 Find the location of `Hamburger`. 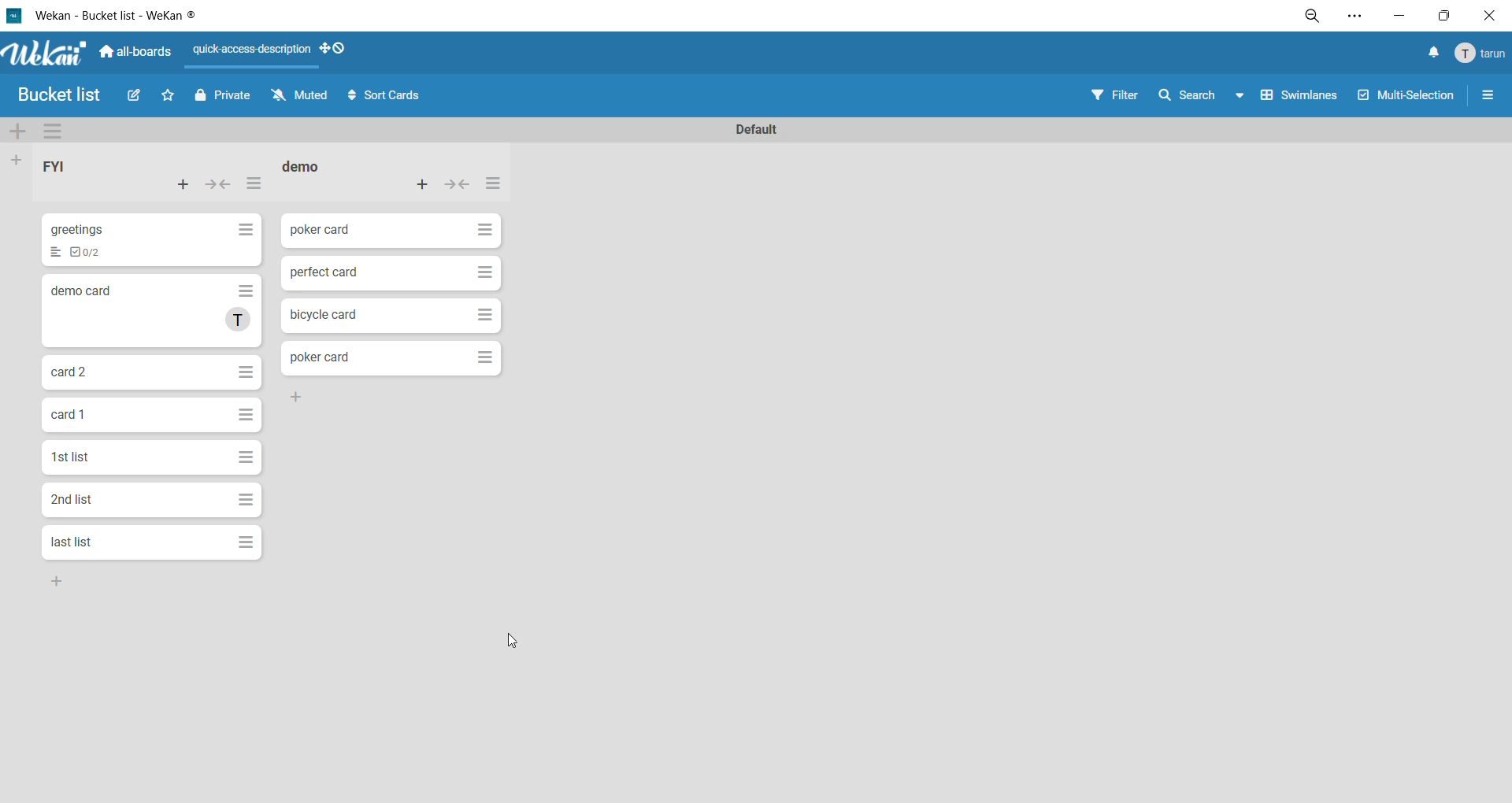

Hamburger is located at coordinates (487, 228).